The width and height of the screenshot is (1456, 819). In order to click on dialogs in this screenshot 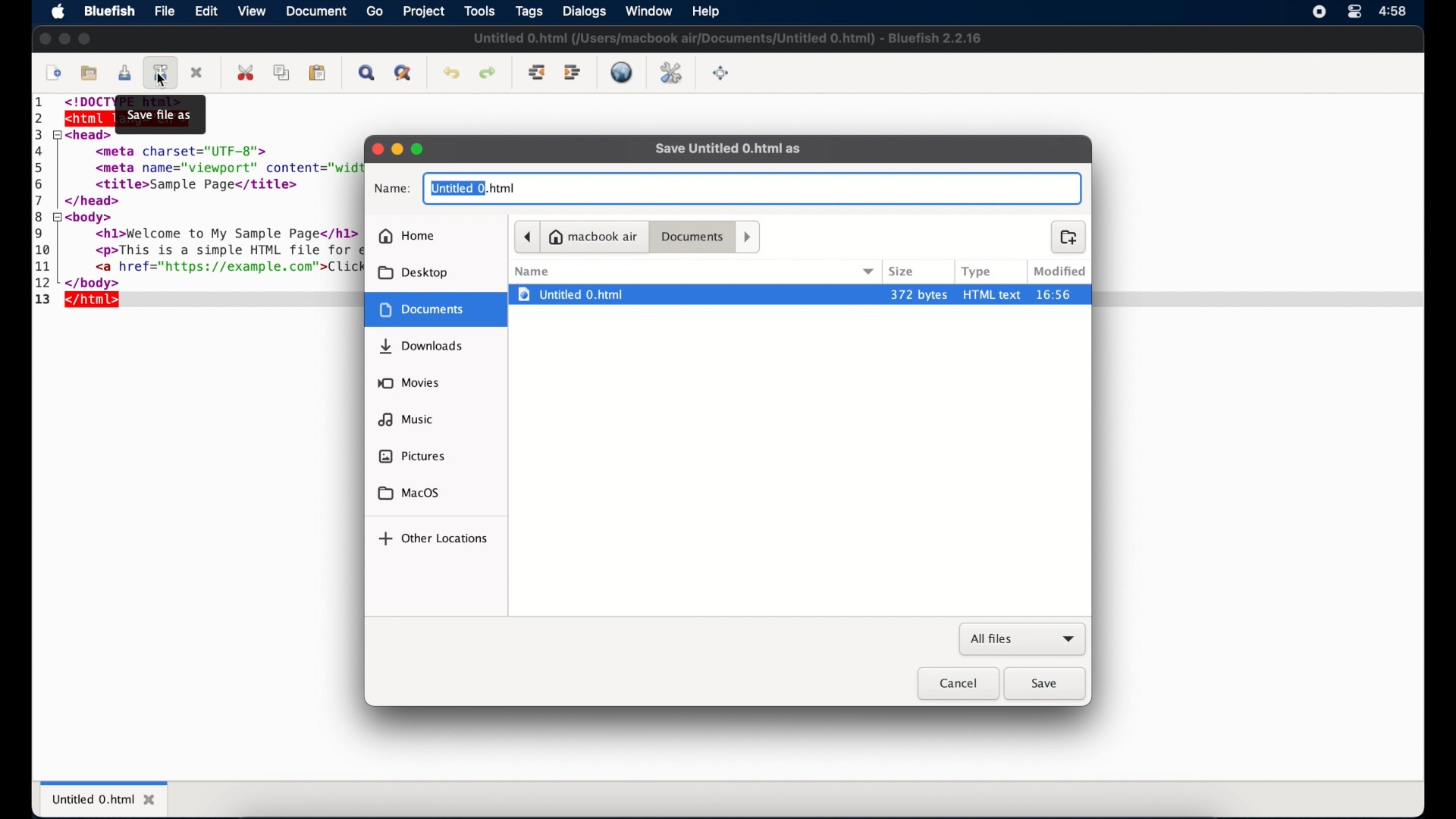, I will do `click(584, 11)`.